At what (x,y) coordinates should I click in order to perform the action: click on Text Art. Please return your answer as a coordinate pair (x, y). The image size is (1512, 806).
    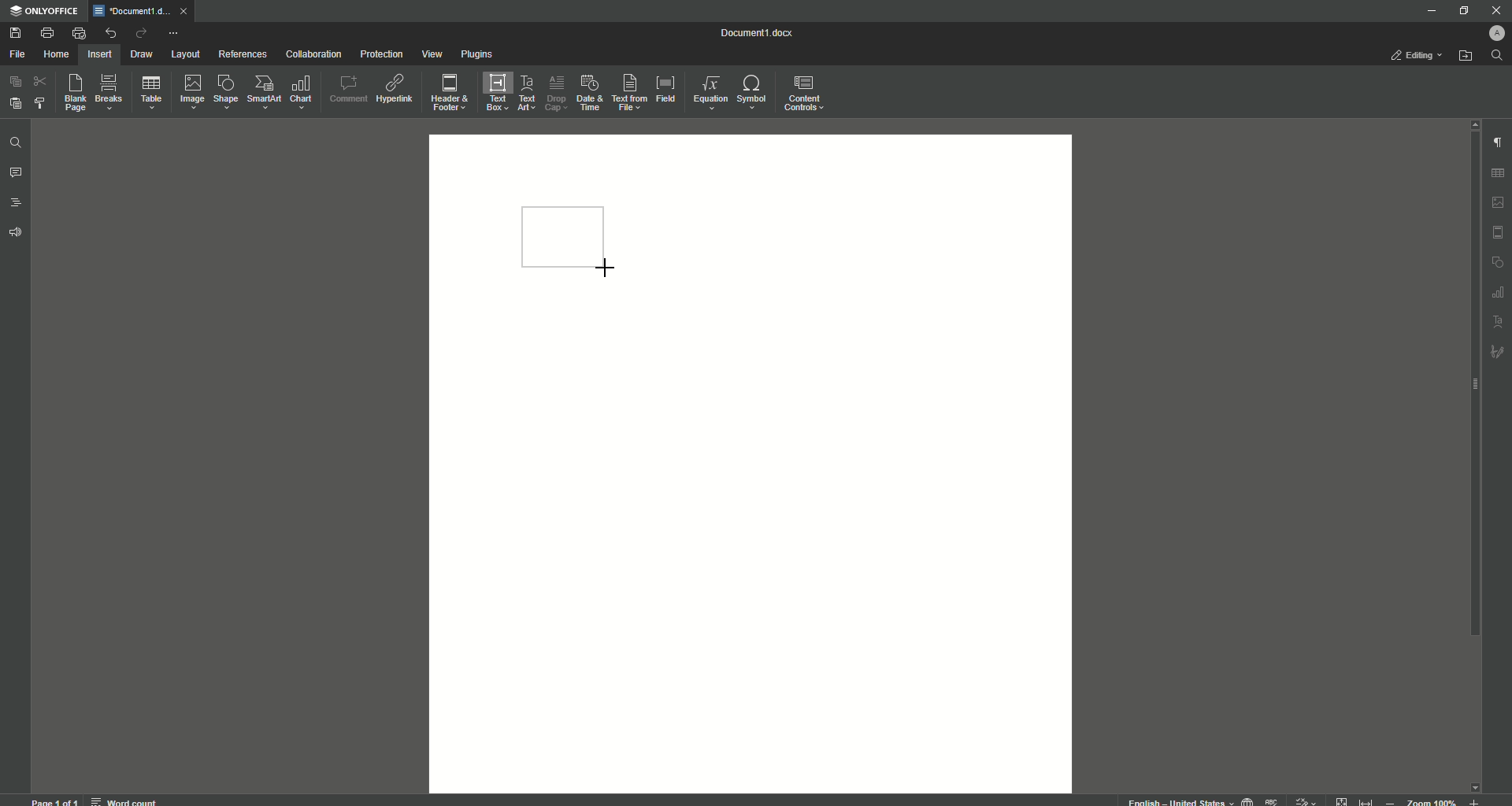
    Looking at the image, I should click on (524, 94).